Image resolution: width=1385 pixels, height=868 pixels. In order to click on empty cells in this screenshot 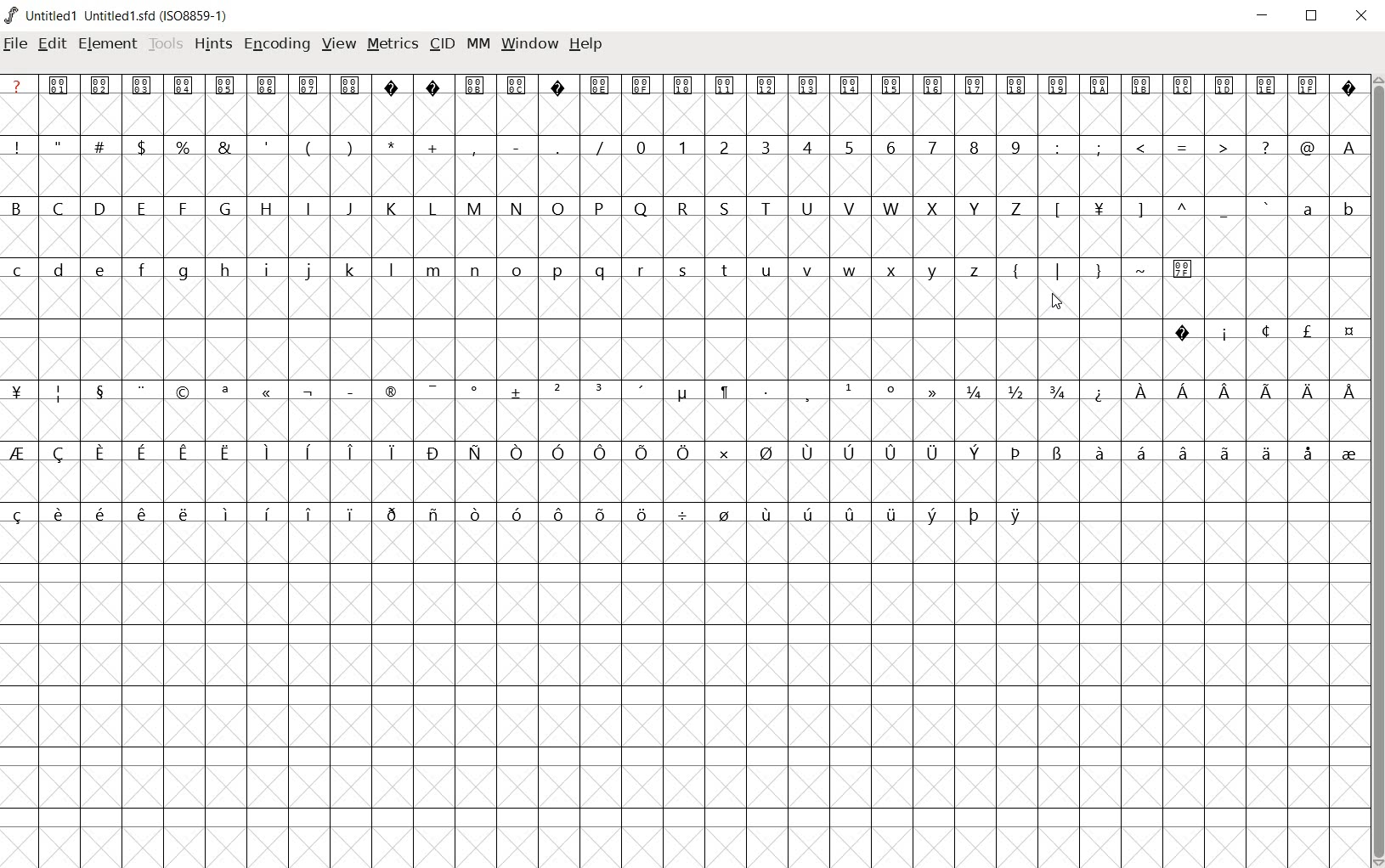, I will do `click(684, 693)`.